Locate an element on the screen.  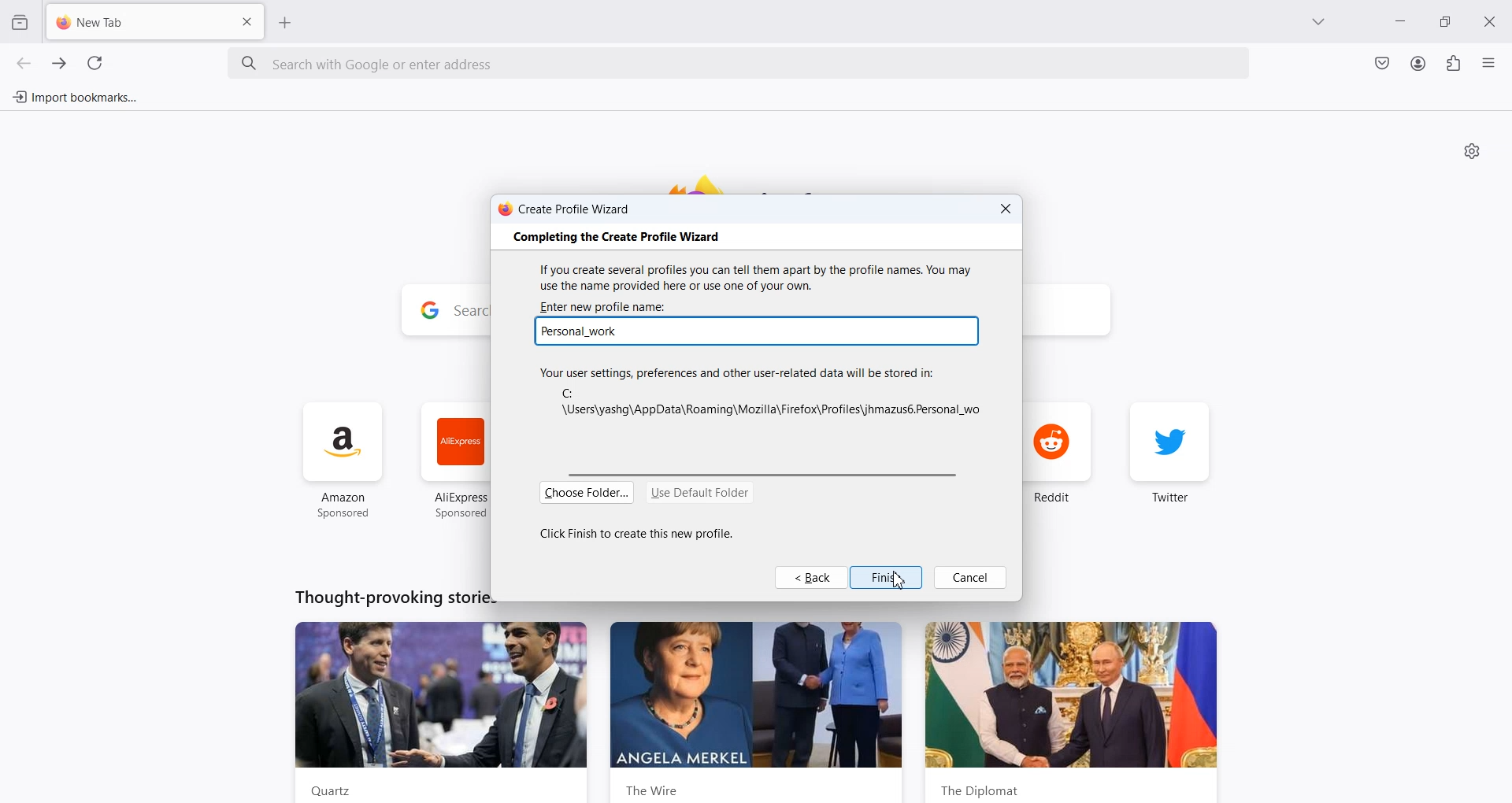
Minimize is located at coordinates (1402, 24).